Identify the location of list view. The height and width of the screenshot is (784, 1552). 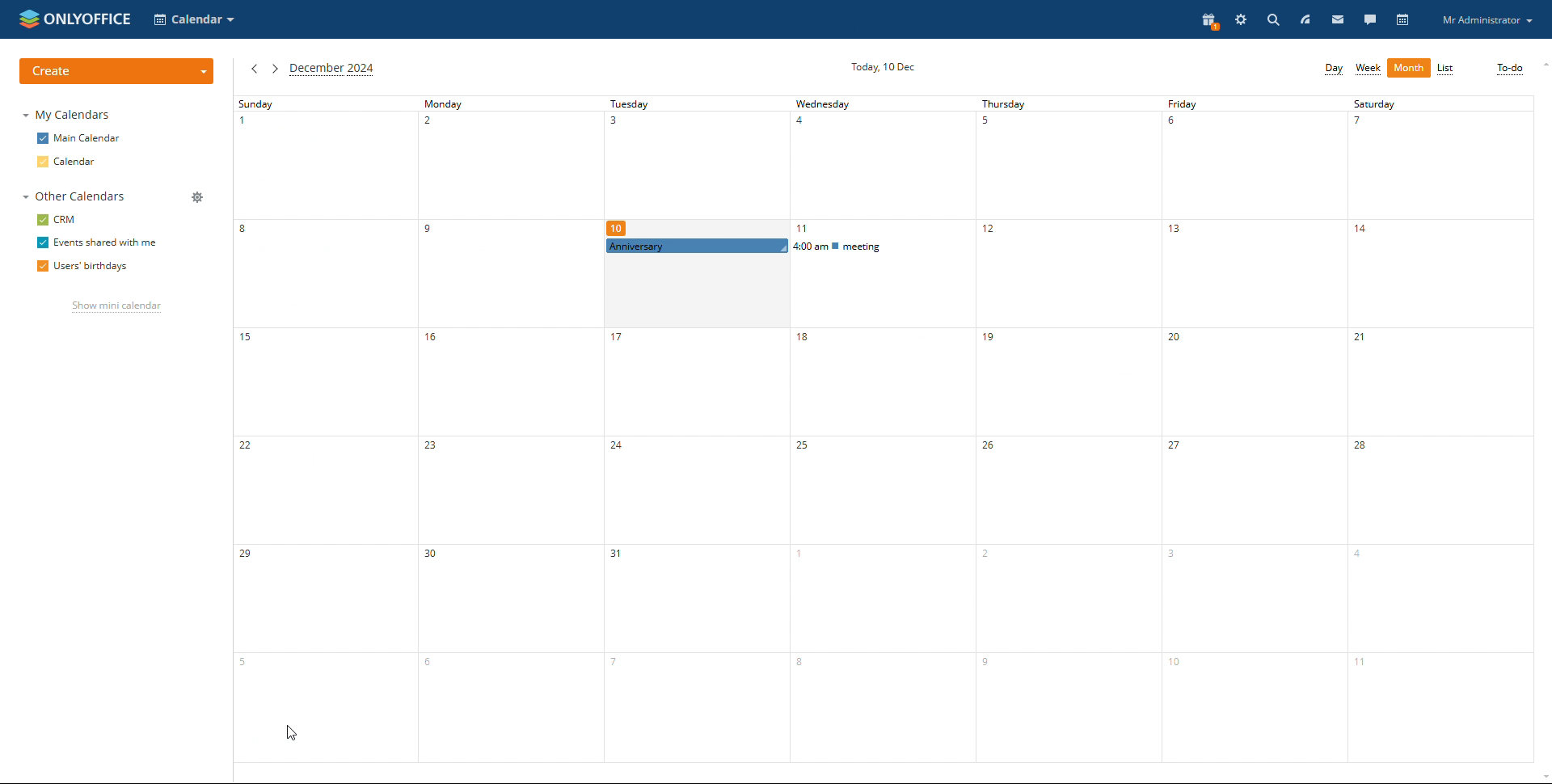
(1445, 70).